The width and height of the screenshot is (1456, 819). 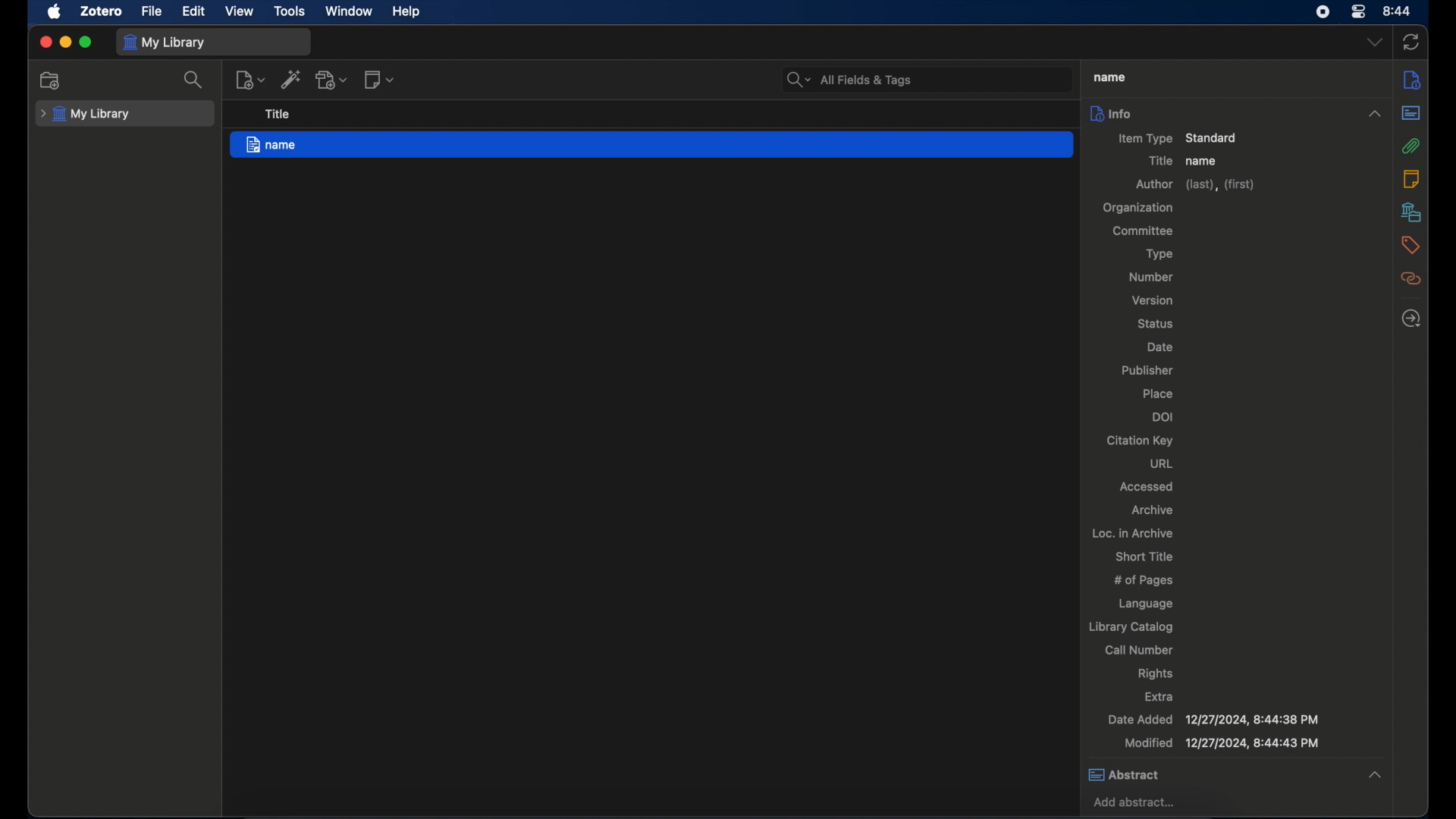 What do you see at coordinates (1151, 300) in the screenshot?
I see `version` at bounding box center [1151, 300].